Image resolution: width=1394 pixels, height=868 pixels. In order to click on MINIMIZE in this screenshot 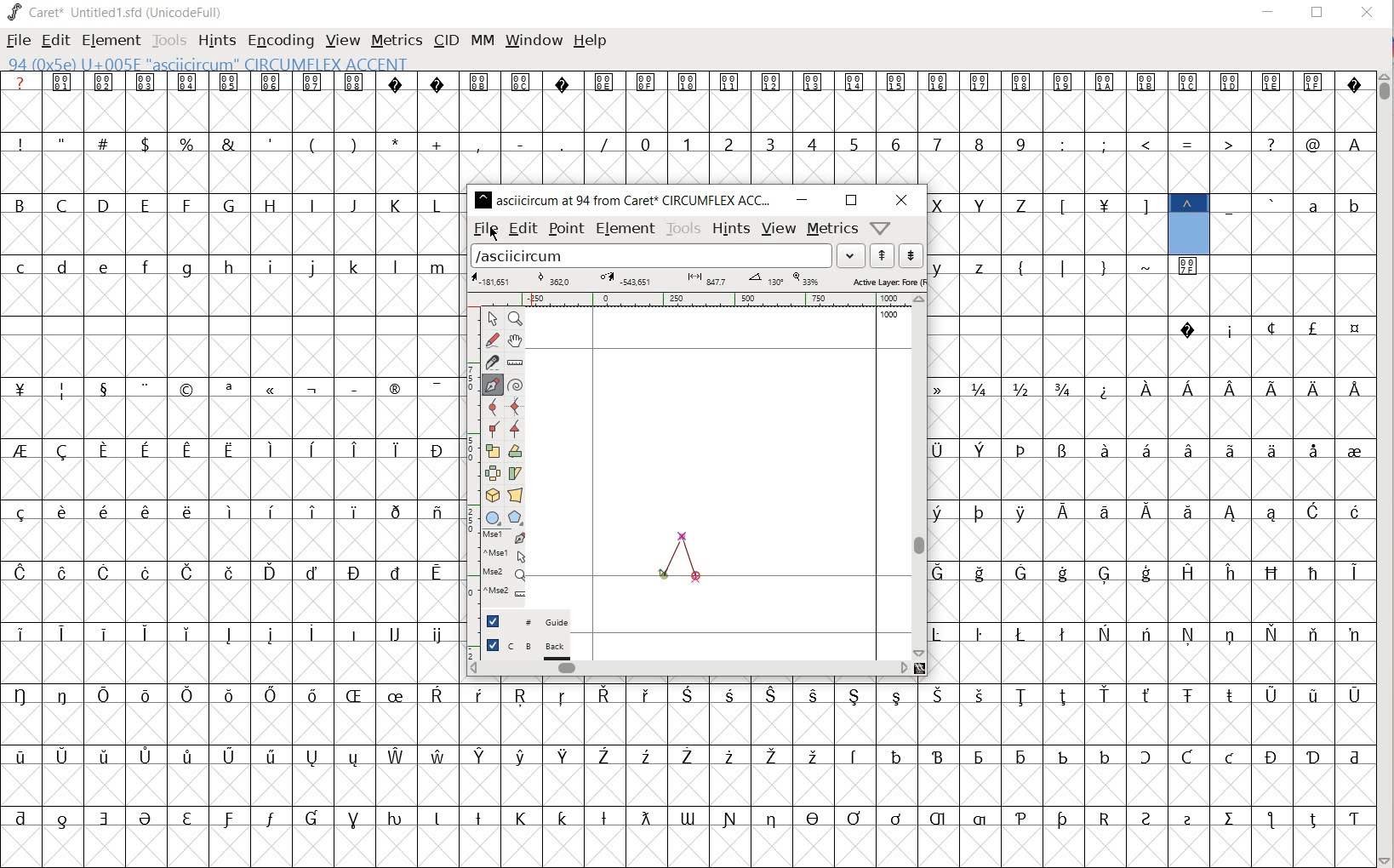, I will do `click(1269, 11)`.